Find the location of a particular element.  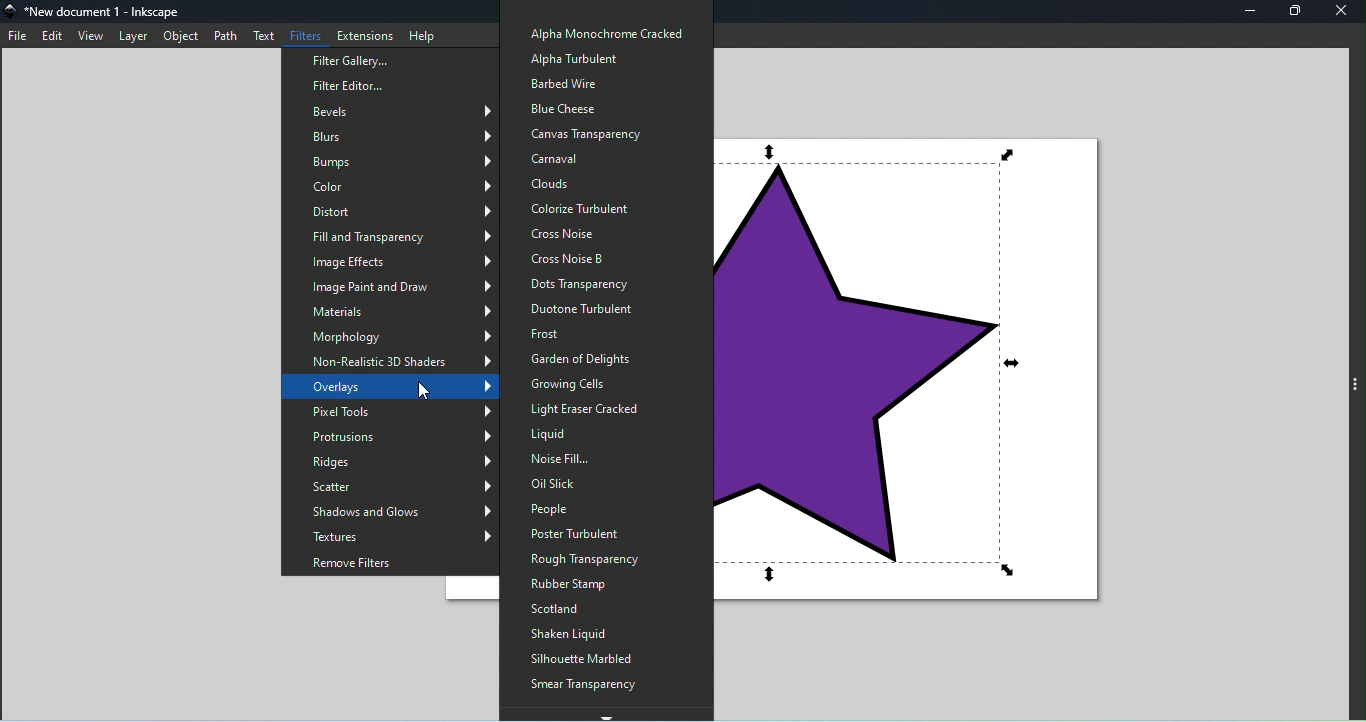

Canvas Transparency is located at coordinates (592, 133).